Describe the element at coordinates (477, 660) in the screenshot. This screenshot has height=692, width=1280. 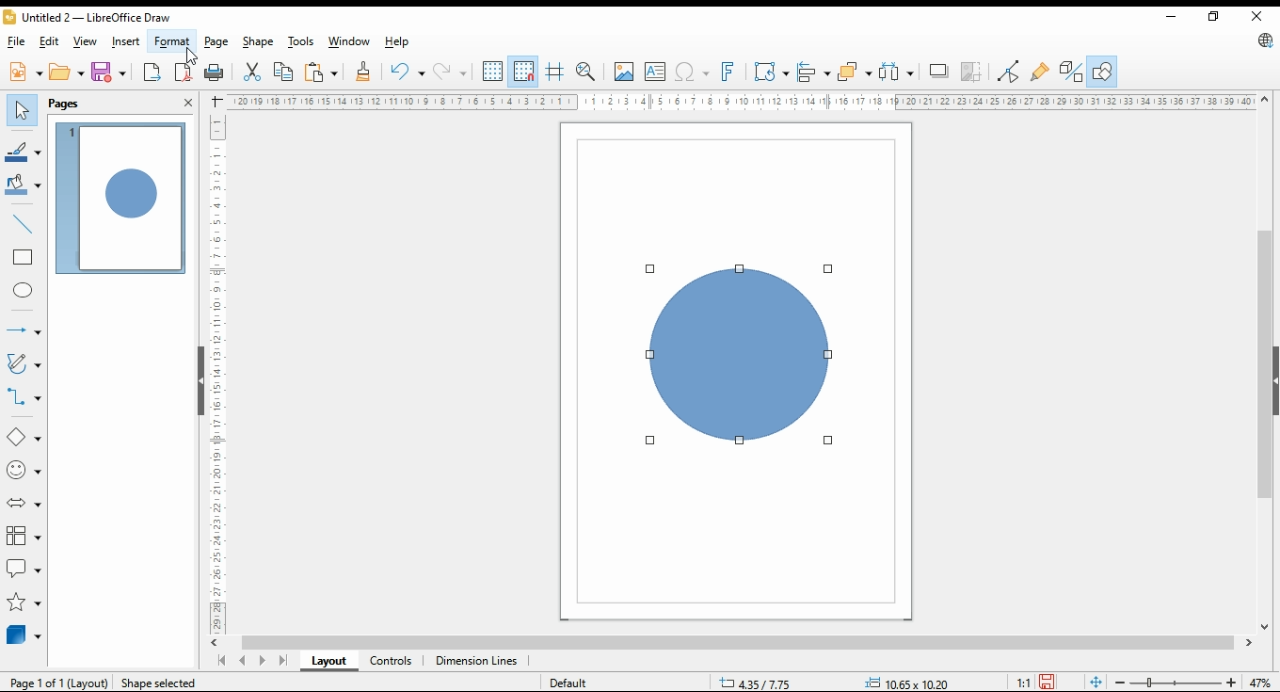
I see `dimension lines` at that location.